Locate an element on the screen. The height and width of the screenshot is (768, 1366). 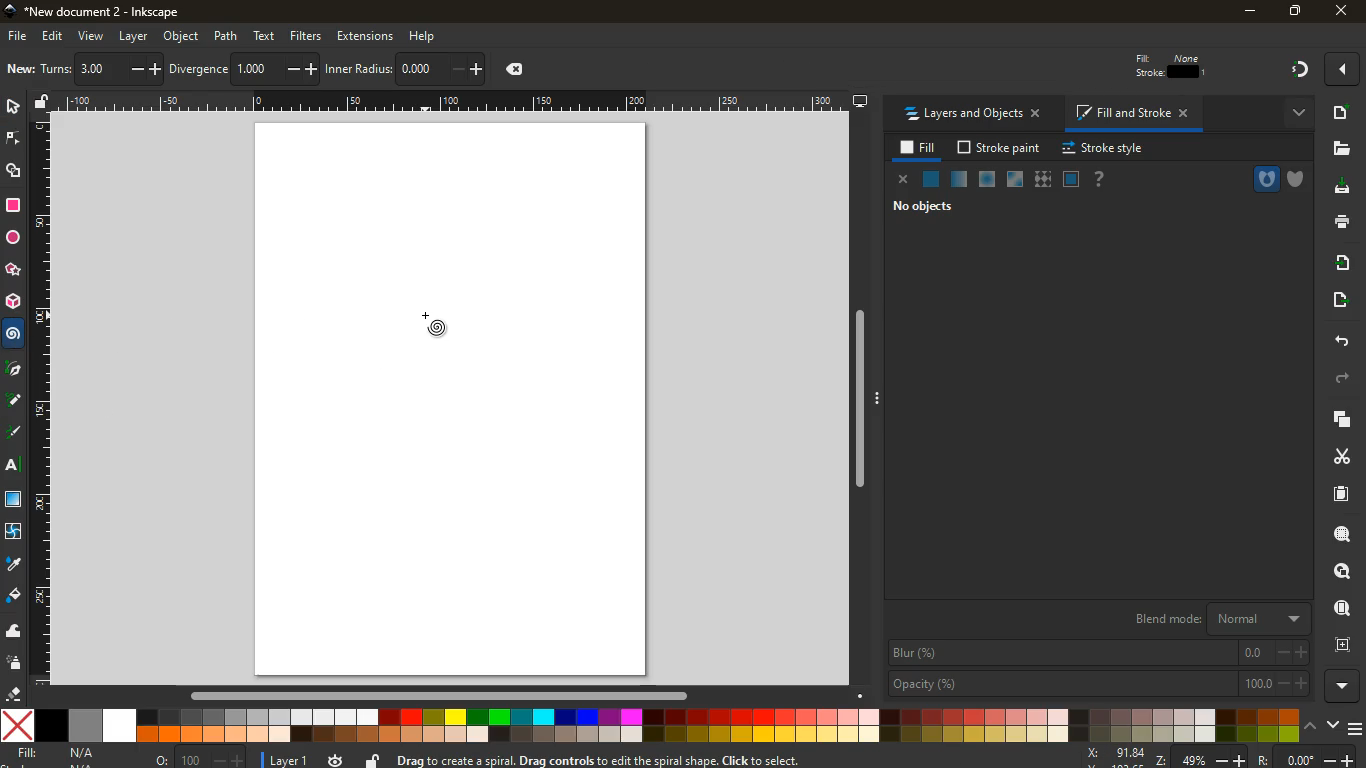
square is located at coordinates (15, 207).